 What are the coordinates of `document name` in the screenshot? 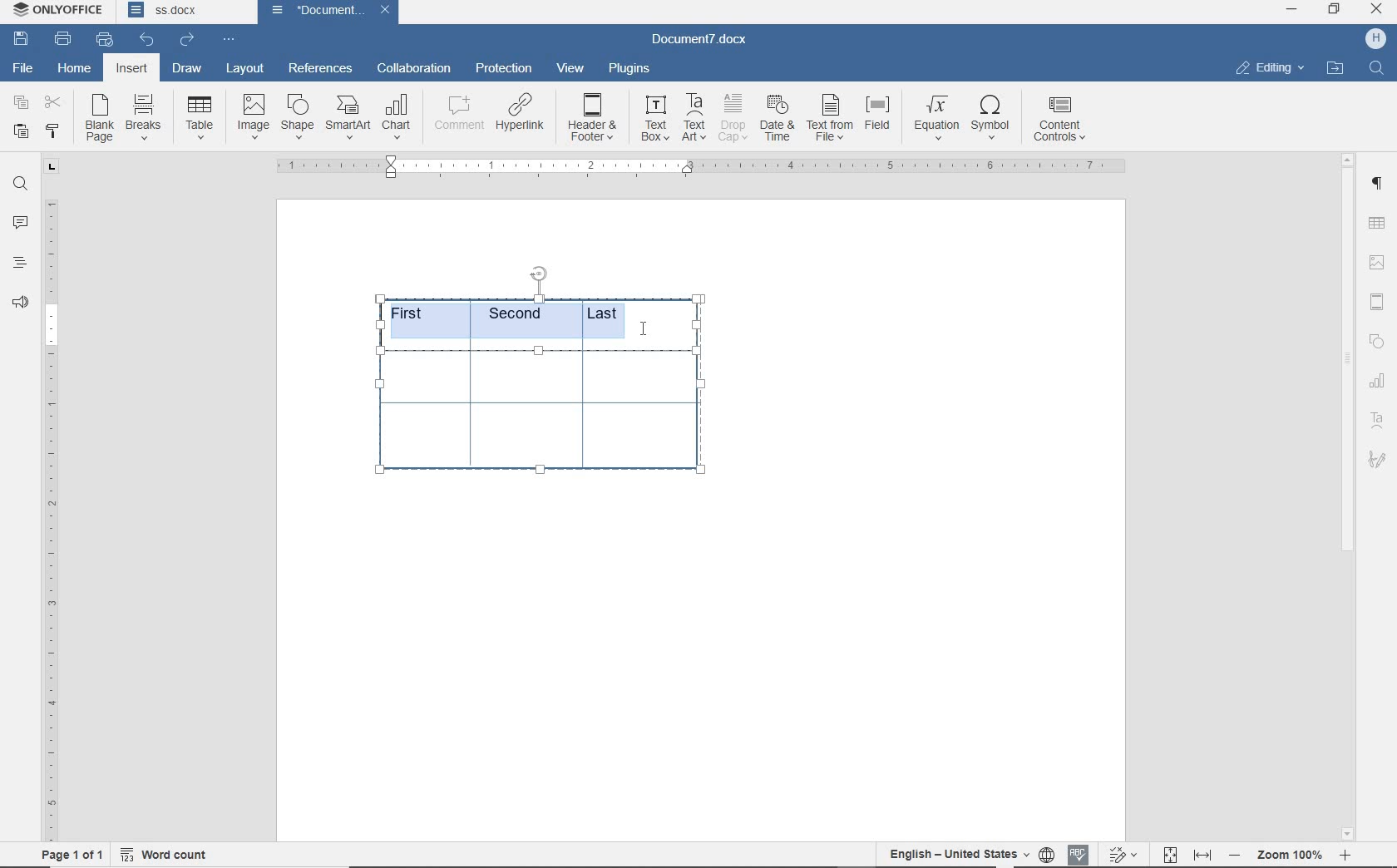 It's located at (706, 37).